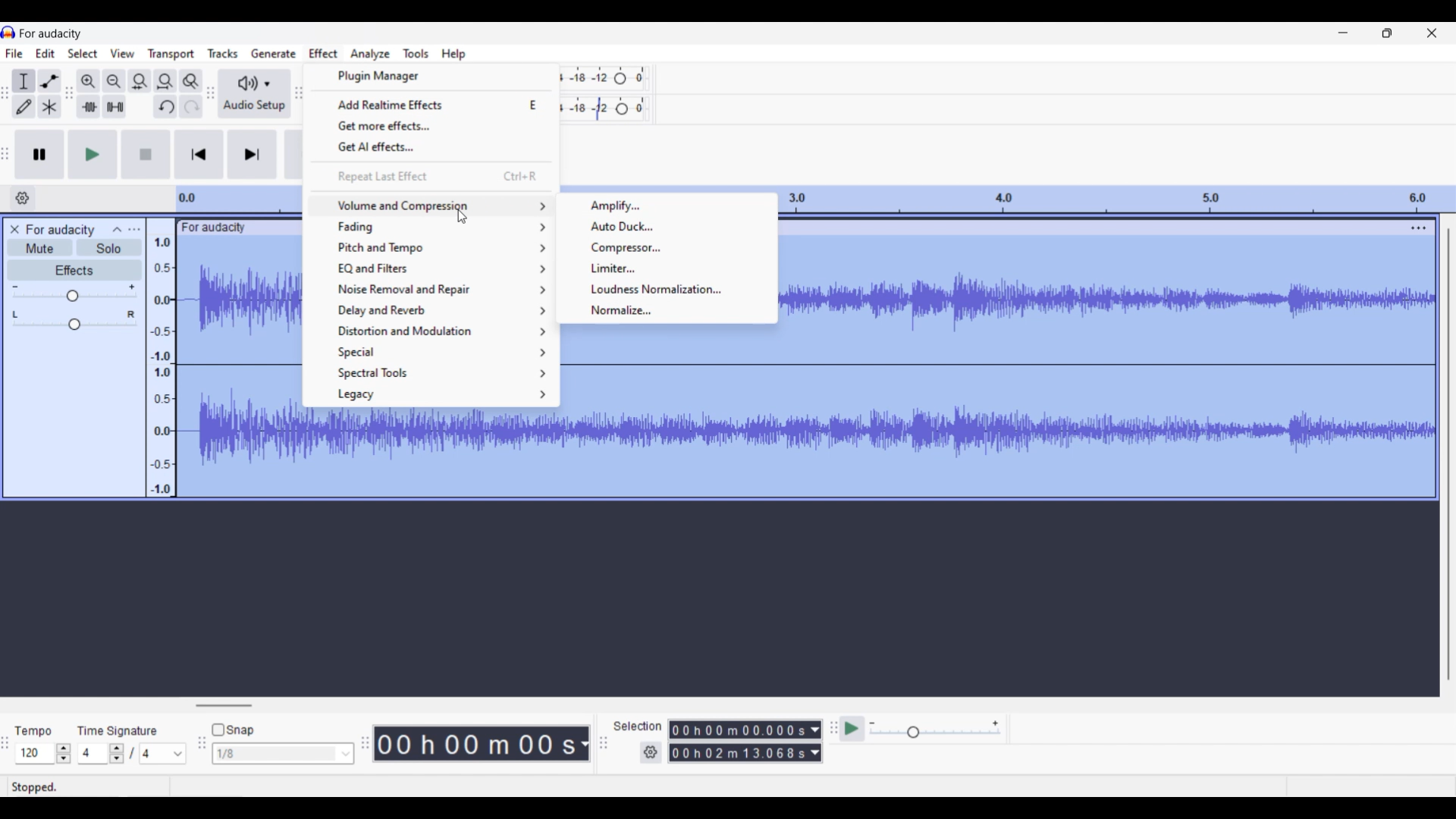  What do you see at coordinates (1122, 367) in the screenshot?
I see `Track highlighted after selection` at bounding box center [1122, 367].